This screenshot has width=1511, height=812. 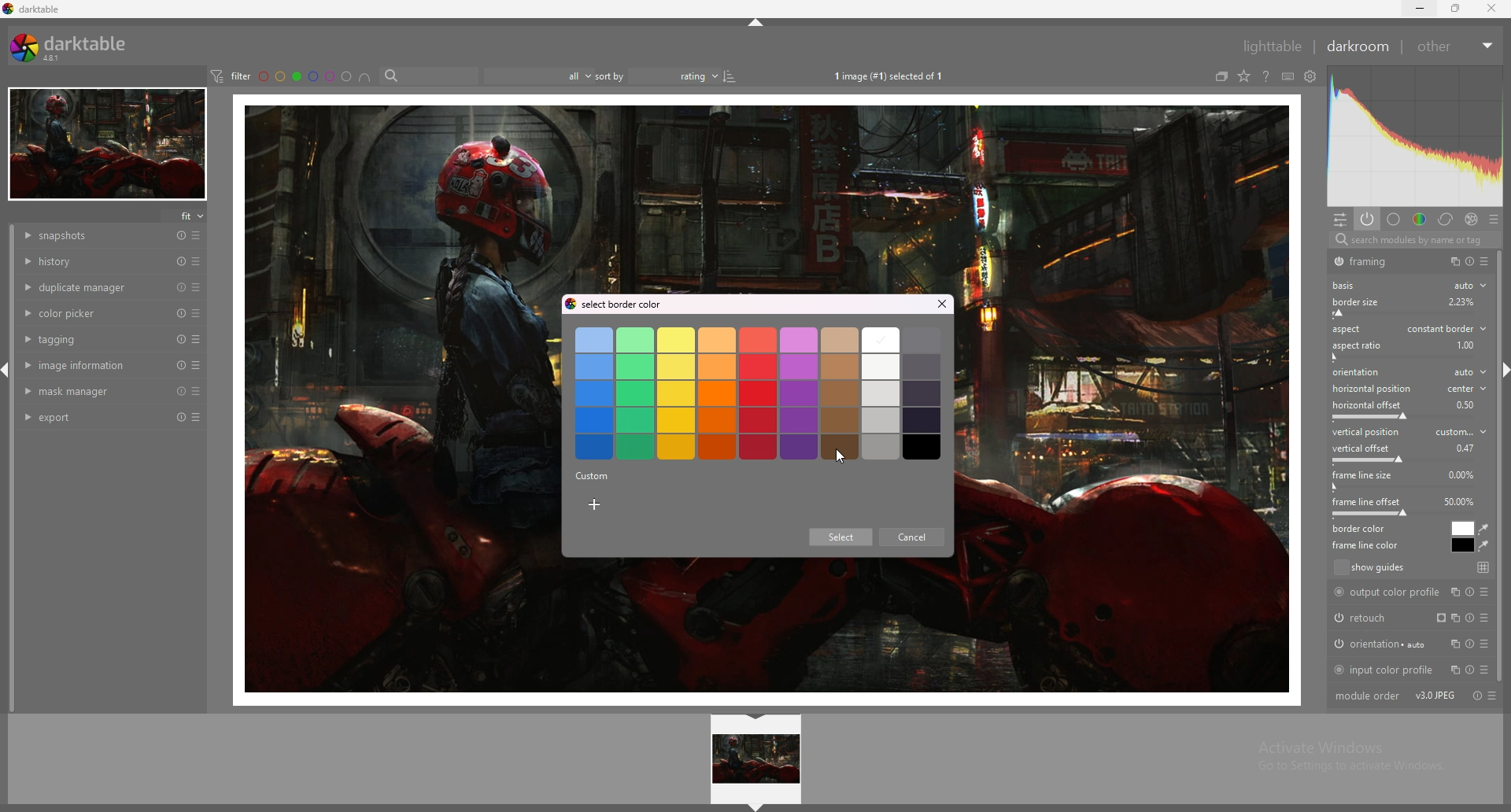 What do you see at coordinates (198, 235) in the screenshot?
I see `presets` at bounding box center [198, 235].